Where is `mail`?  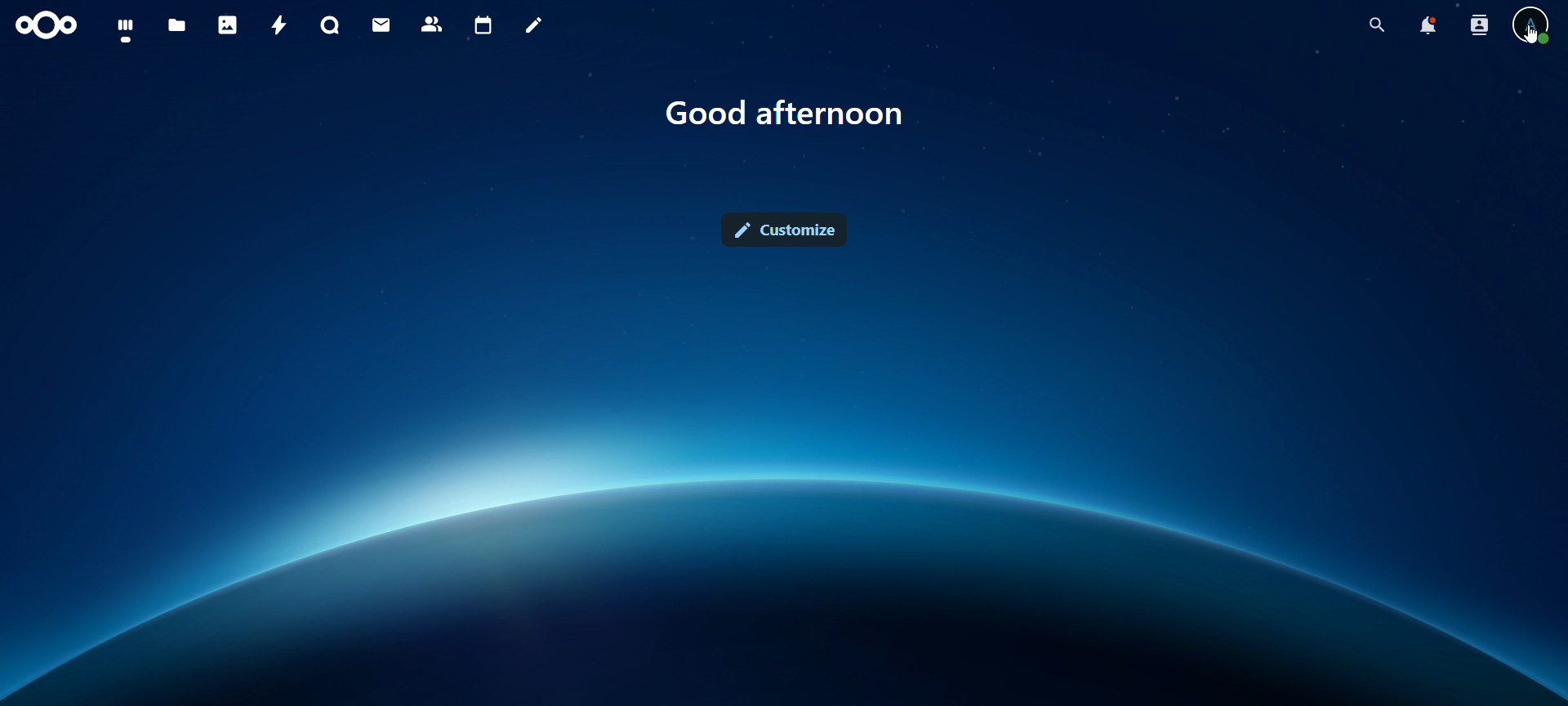
mail is located at coordinates (382, 24).